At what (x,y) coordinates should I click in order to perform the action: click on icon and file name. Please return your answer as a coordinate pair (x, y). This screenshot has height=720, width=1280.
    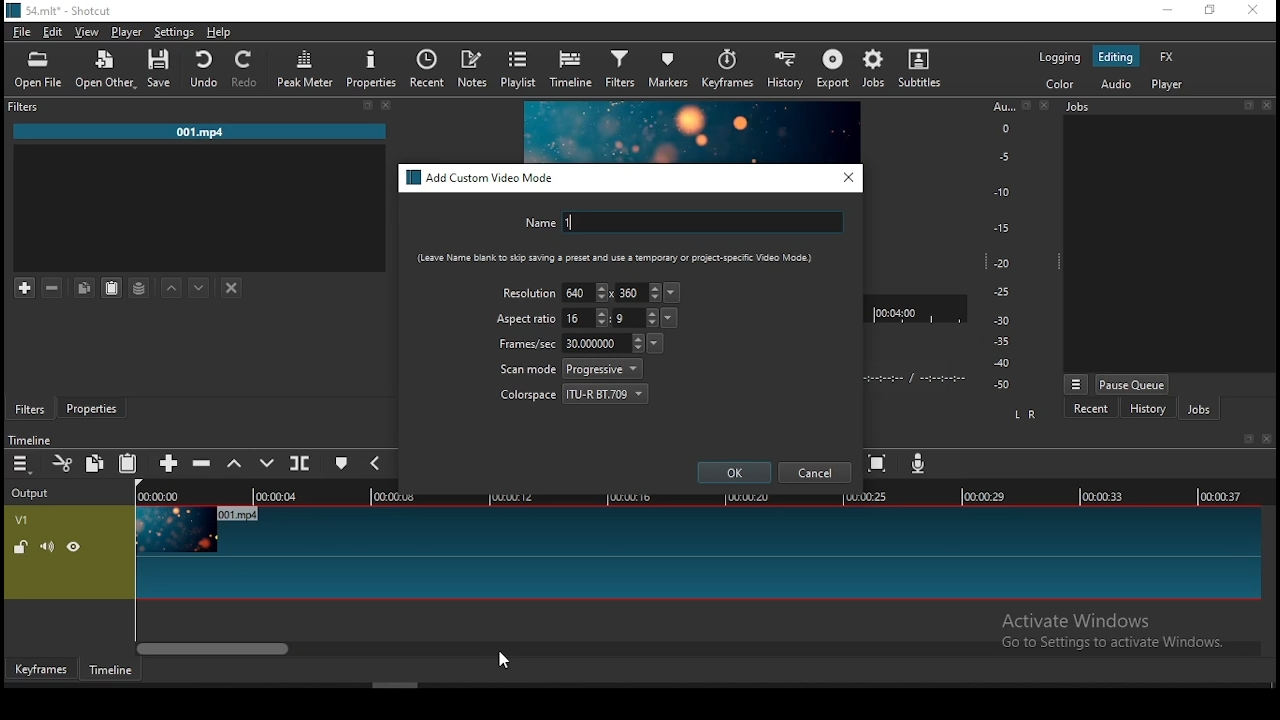
    Looking at the image, I should click on (62, 9).